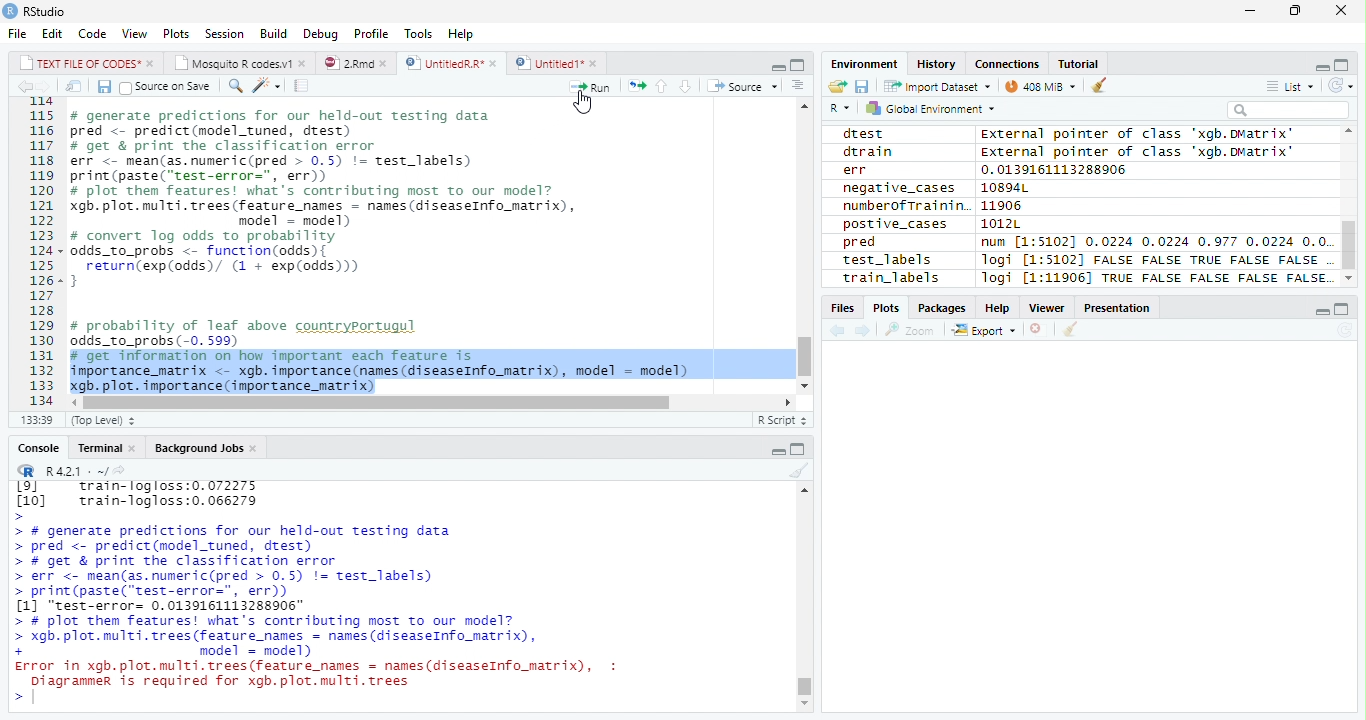  What do you see at coordinates (862, 133) in the screenshot?
I see `dtest` at bounding box center [862, 133].